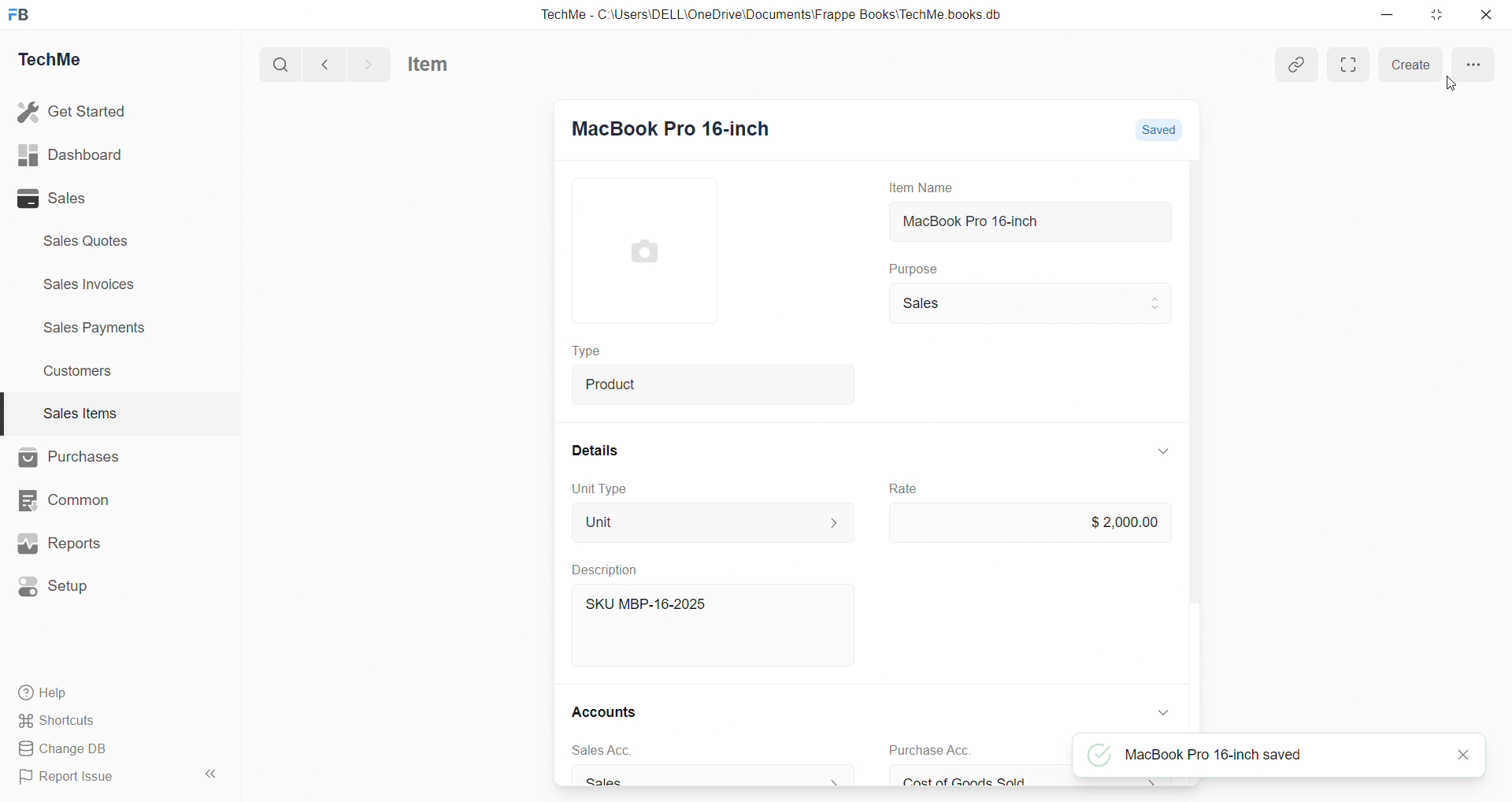 This screenshot has width=1512, height=802. Describe the element at coordinates (647, 603) in the screenshot. I see `SKU MBP-16-2025|` at that location.